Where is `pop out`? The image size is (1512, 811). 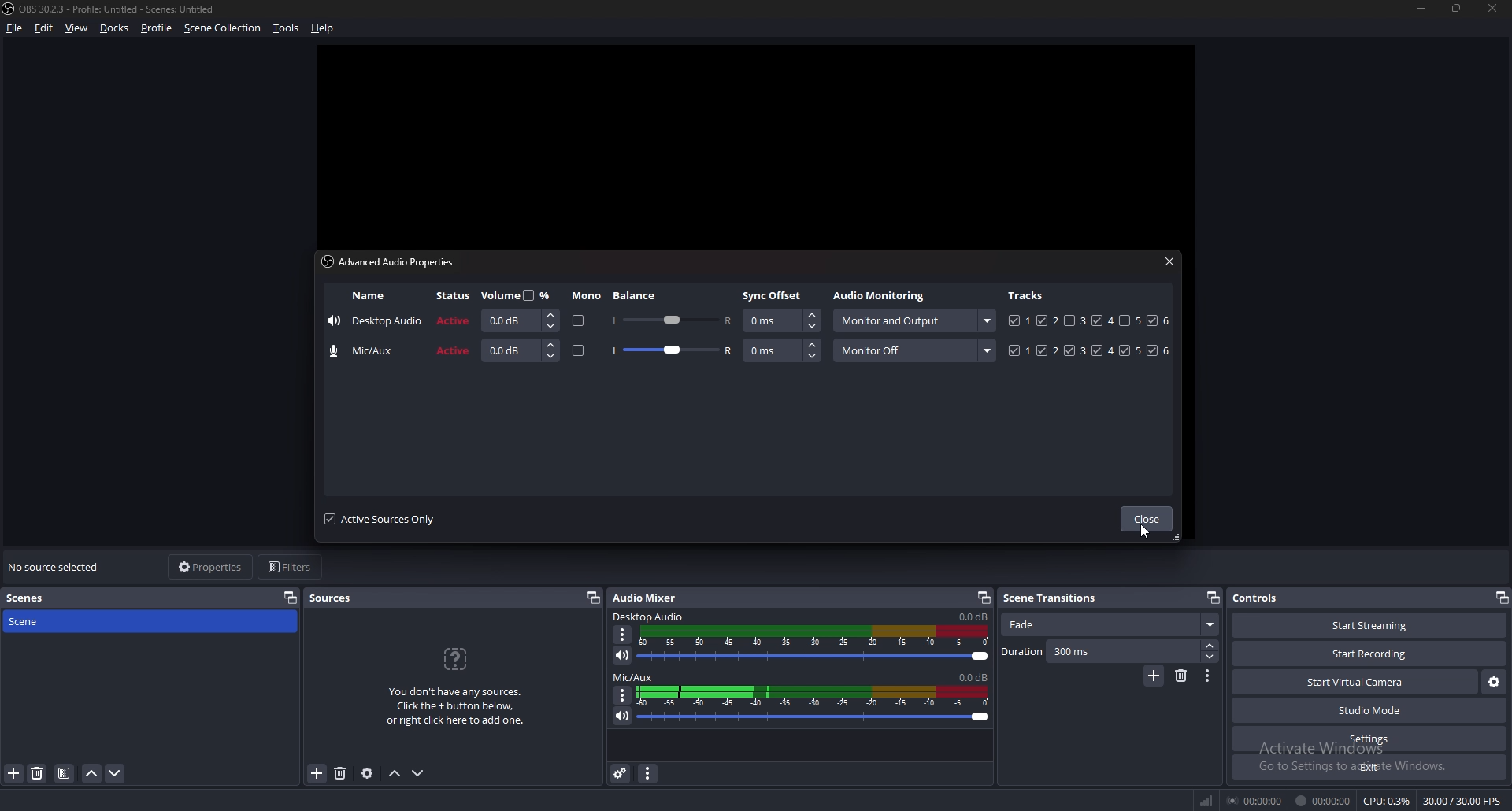 pop out is located at coordinates (1212, 598).